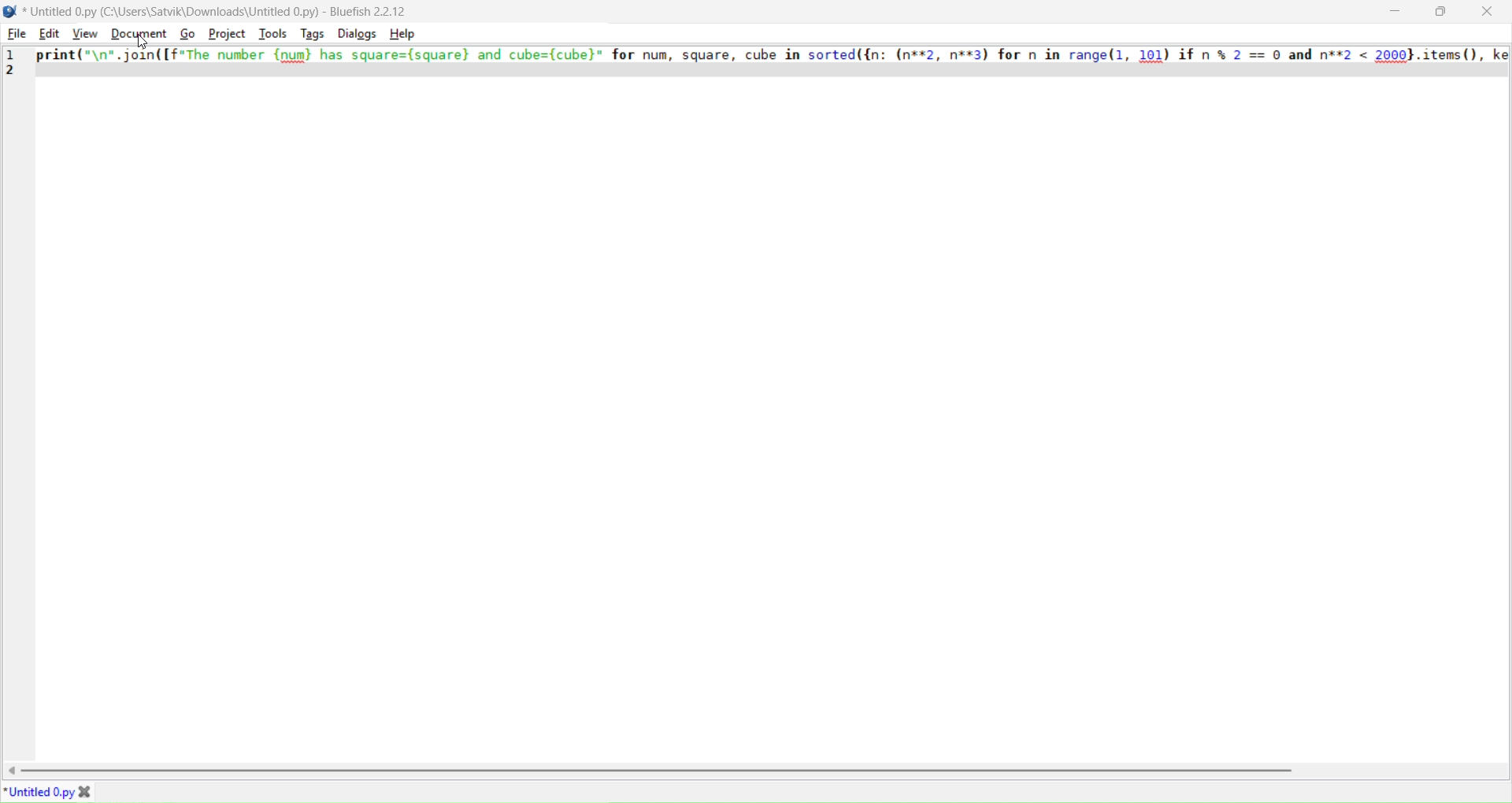 The width and height of the screenshot is (1512, 803). Describe the element at coordinates (1487, 11) in the screenshot. I see `close` at that location.